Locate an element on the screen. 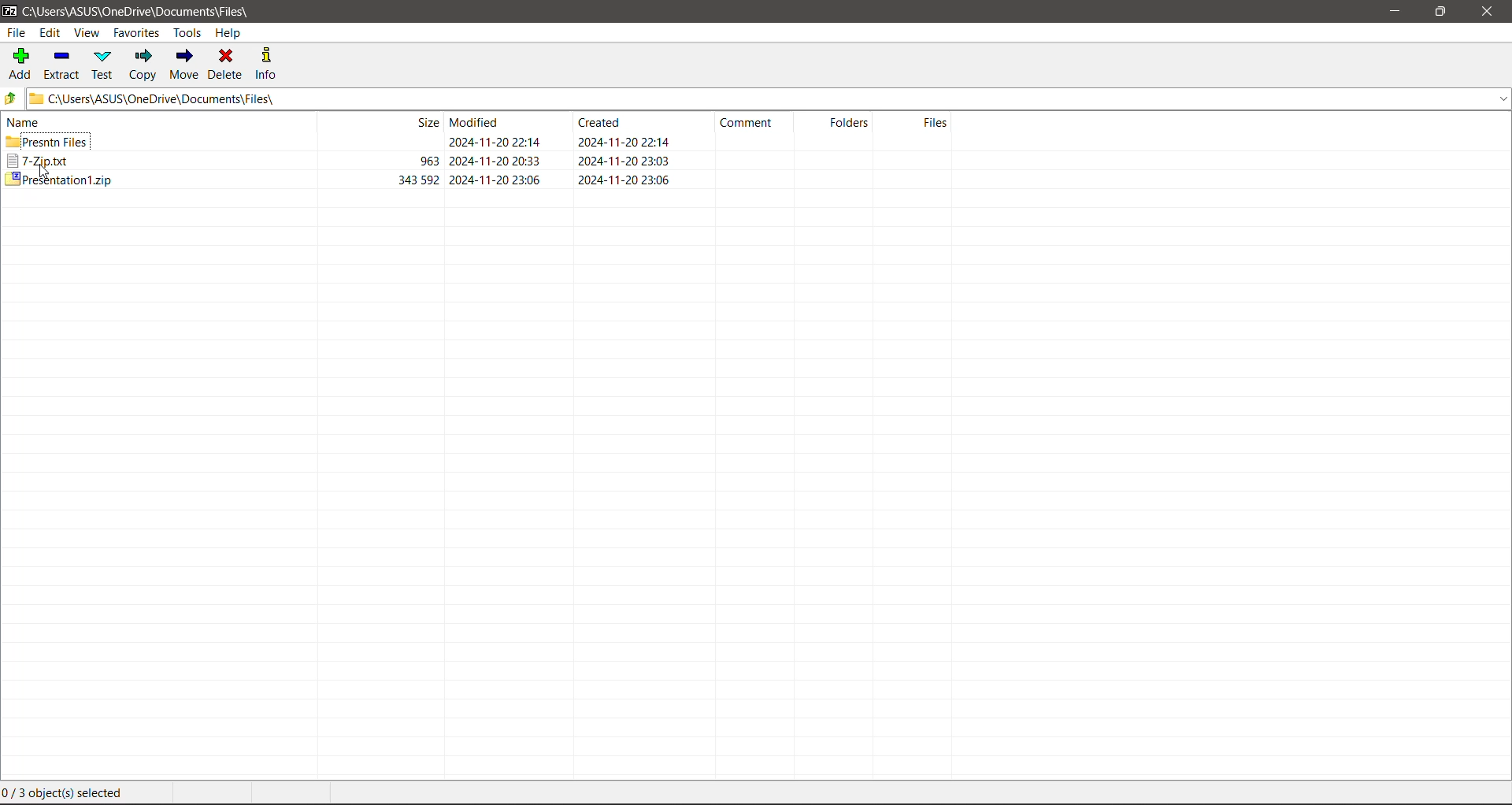  Delete is located at coordinates (227, 63).